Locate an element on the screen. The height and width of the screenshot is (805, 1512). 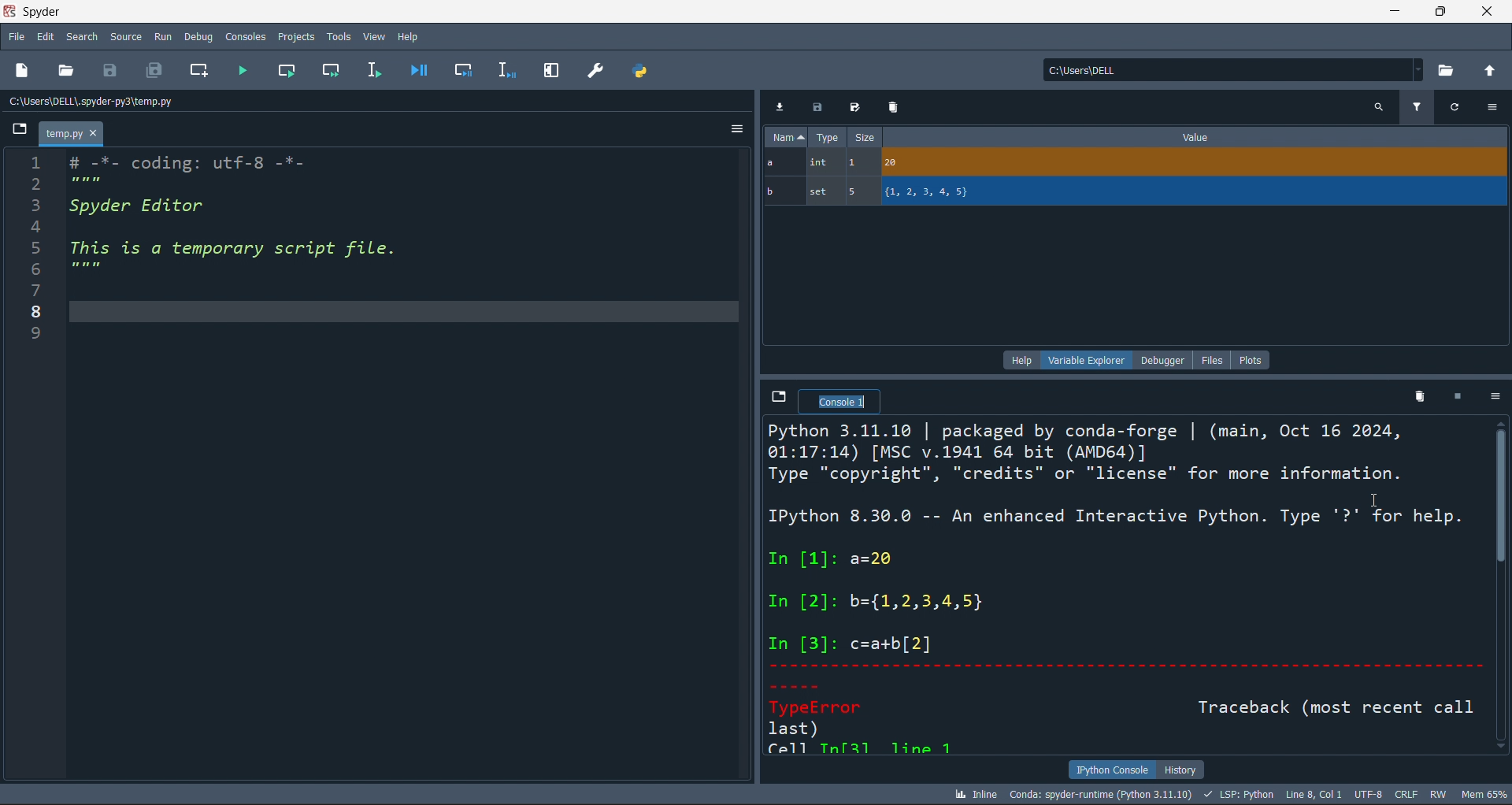
run is located at coordinates (161, 36).